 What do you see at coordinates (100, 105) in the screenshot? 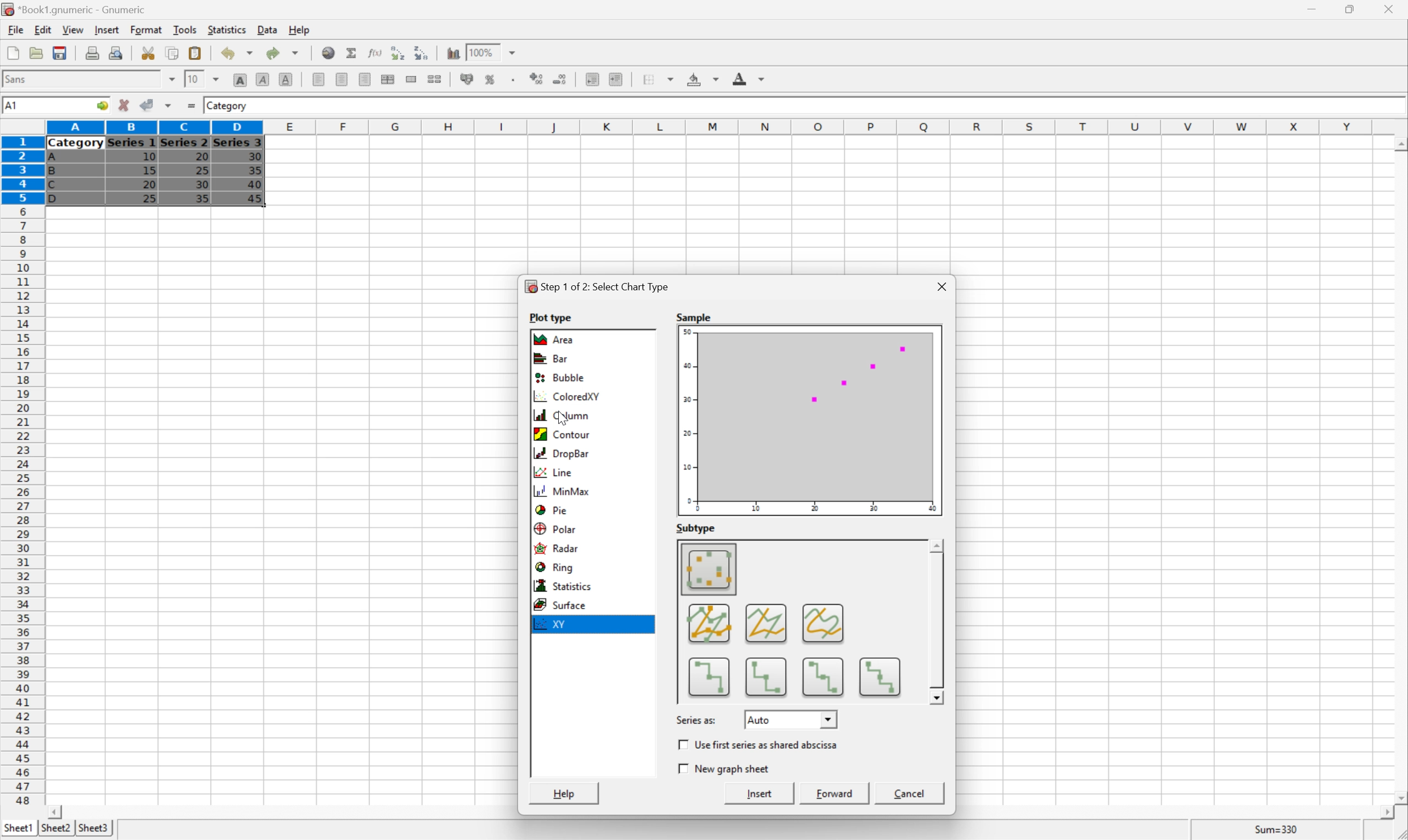
I see `Go to` at bounding box center [100, 105].